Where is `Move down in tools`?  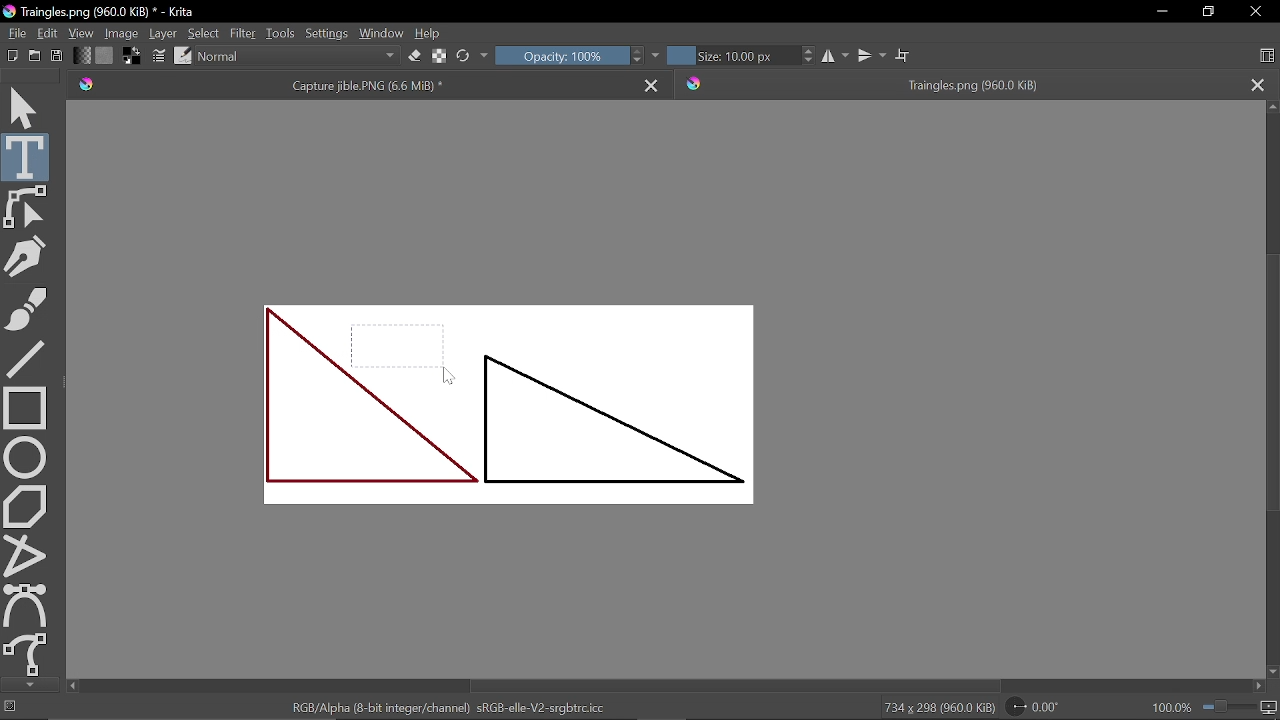
Move down in tools is located at coordinates (27, 685).